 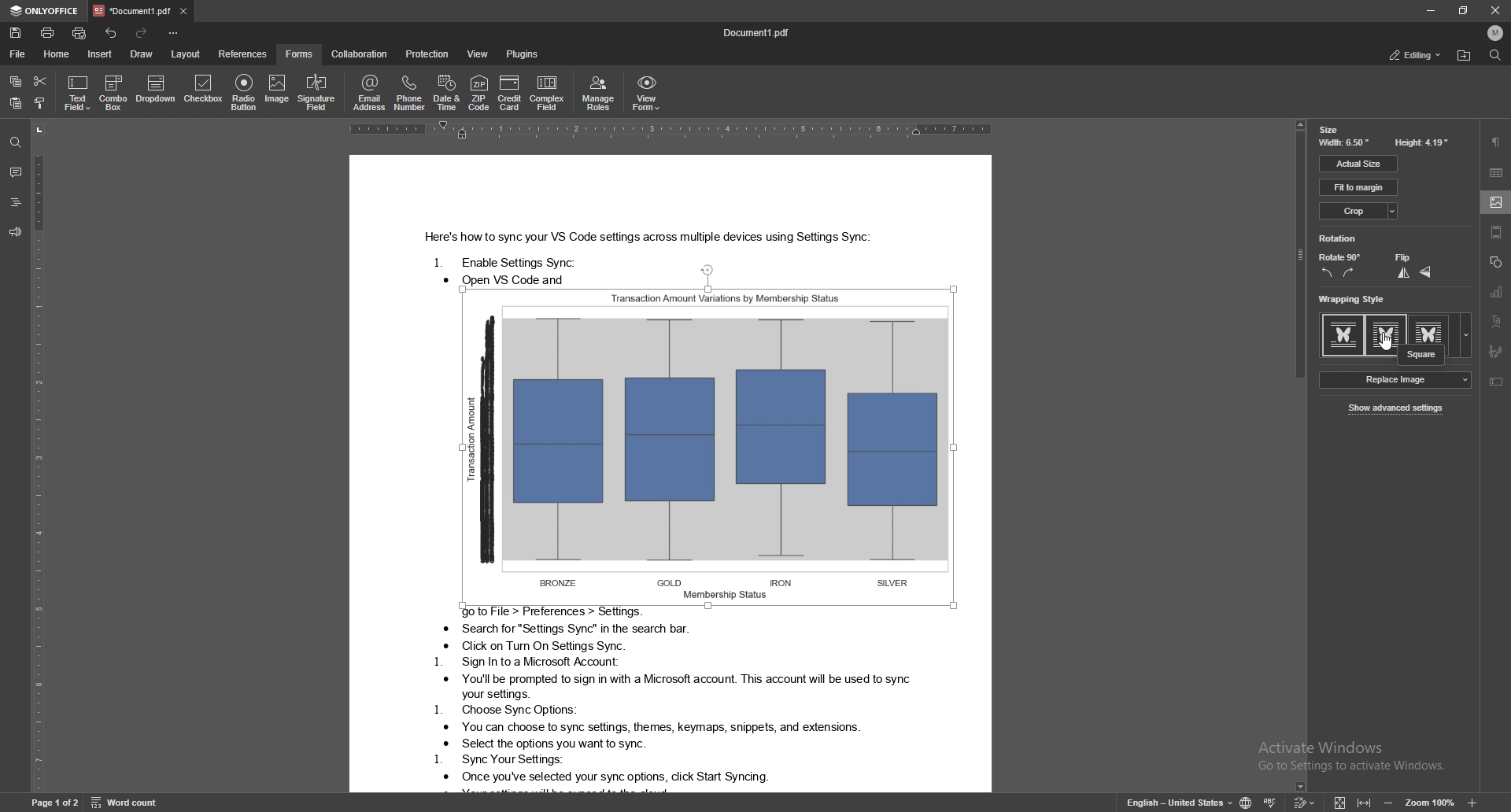 What do you see at coordinates (1329, 129) in the screenshot?
I see `size` at bounding box center [1329, 129].